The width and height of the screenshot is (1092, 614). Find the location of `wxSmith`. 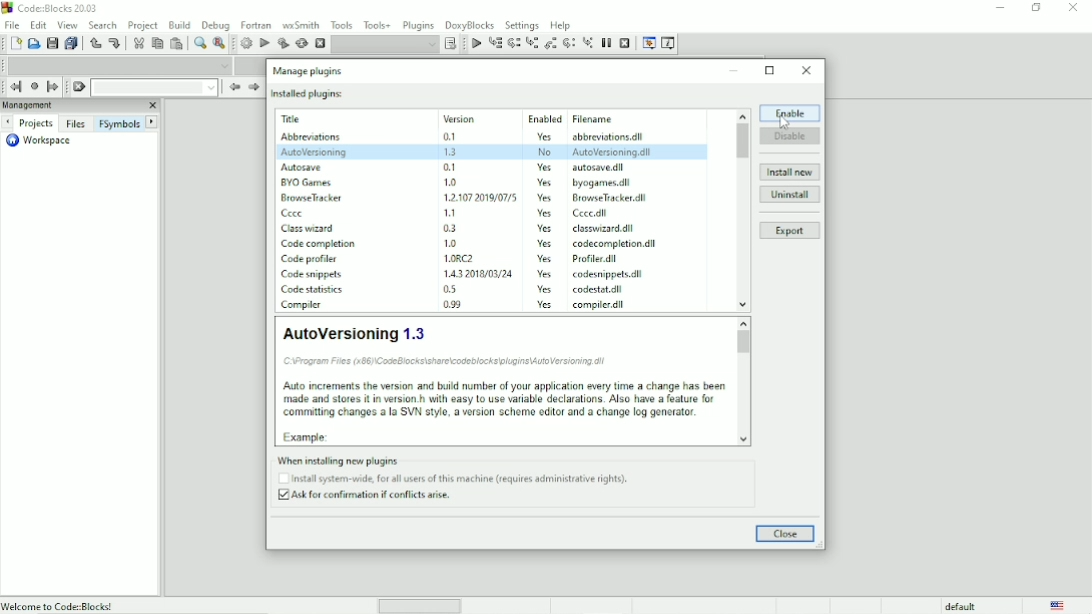

wxSmith is located at coordinates (301, 25).